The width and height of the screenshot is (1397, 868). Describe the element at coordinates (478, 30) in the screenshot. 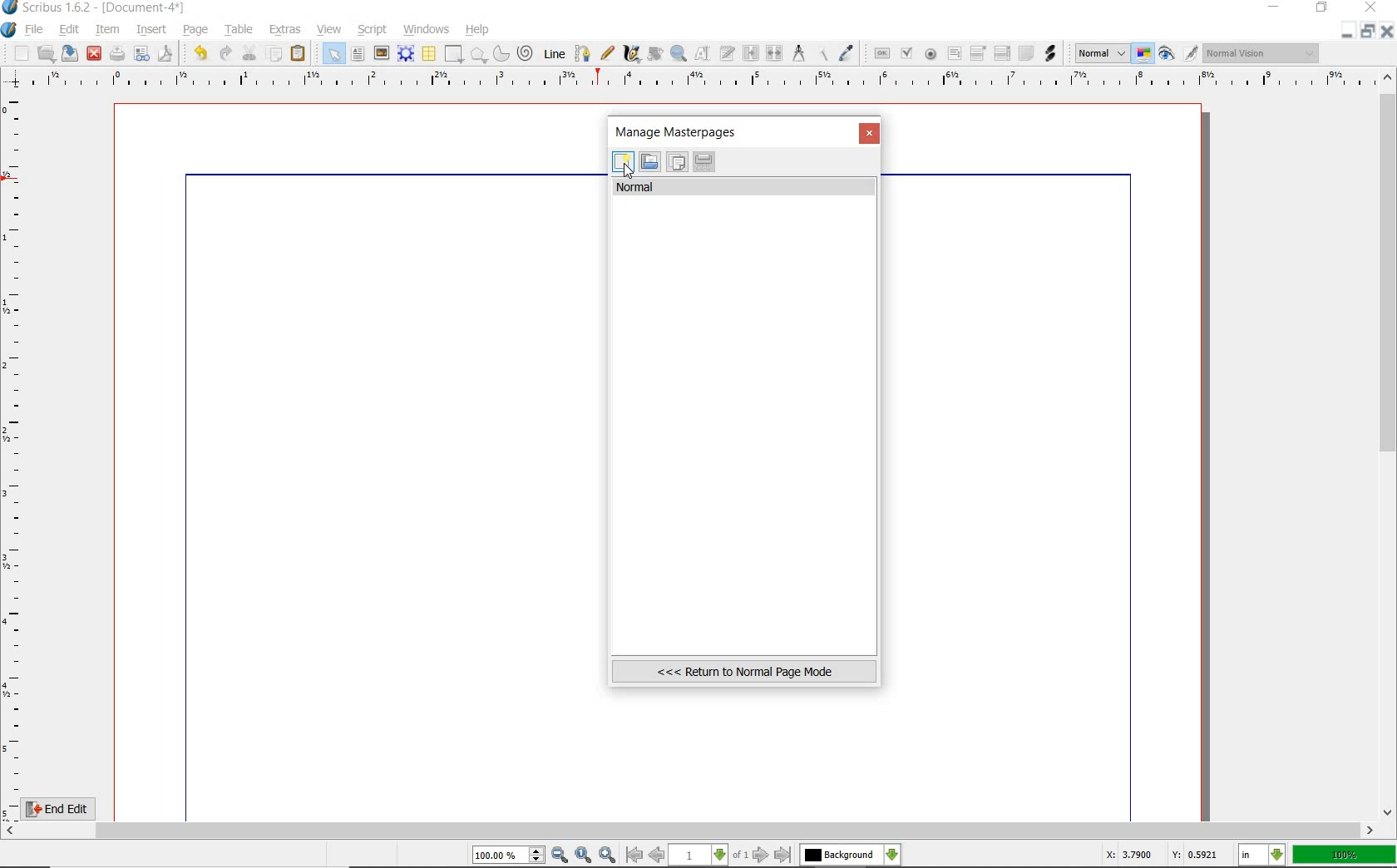

I see `help` at that location.